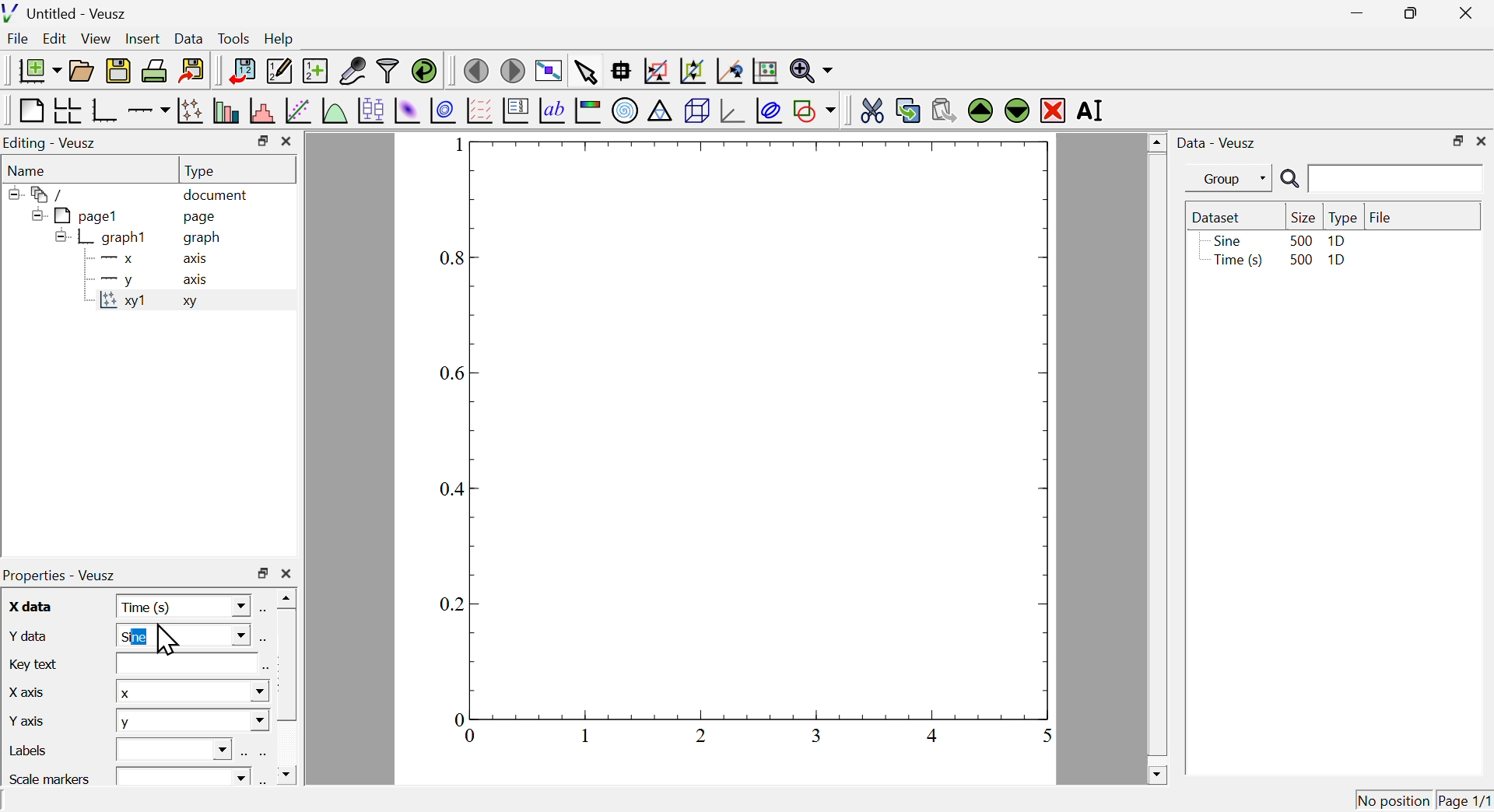 This screenshot has width=1494, height=812. I want to click on maximize, so click(262, 574).